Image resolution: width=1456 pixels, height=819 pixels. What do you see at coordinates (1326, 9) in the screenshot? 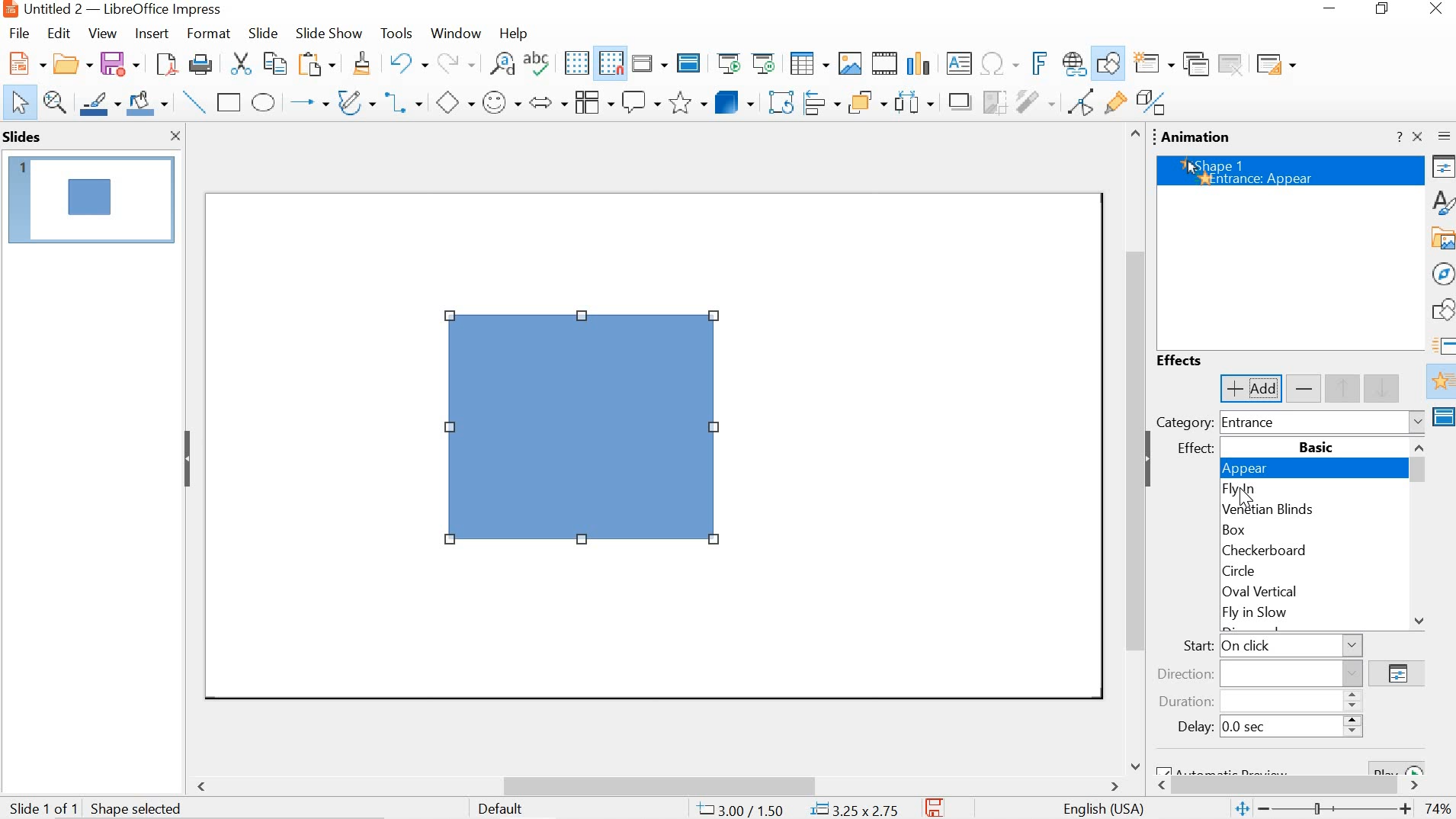
I see `minimize` at bounding box center [1326, 9].